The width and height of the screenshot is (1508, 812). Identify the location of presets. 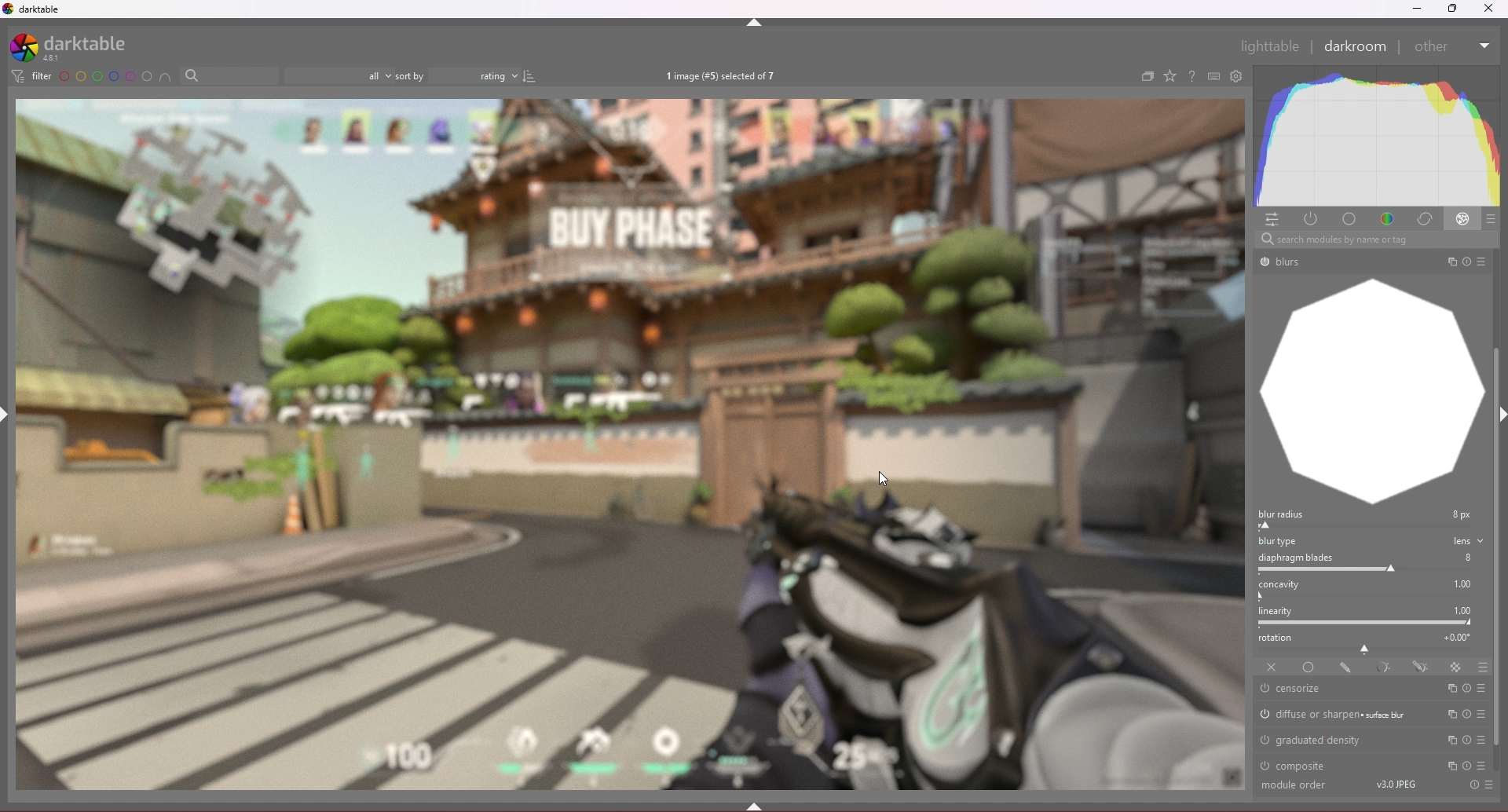
(1481, 740).